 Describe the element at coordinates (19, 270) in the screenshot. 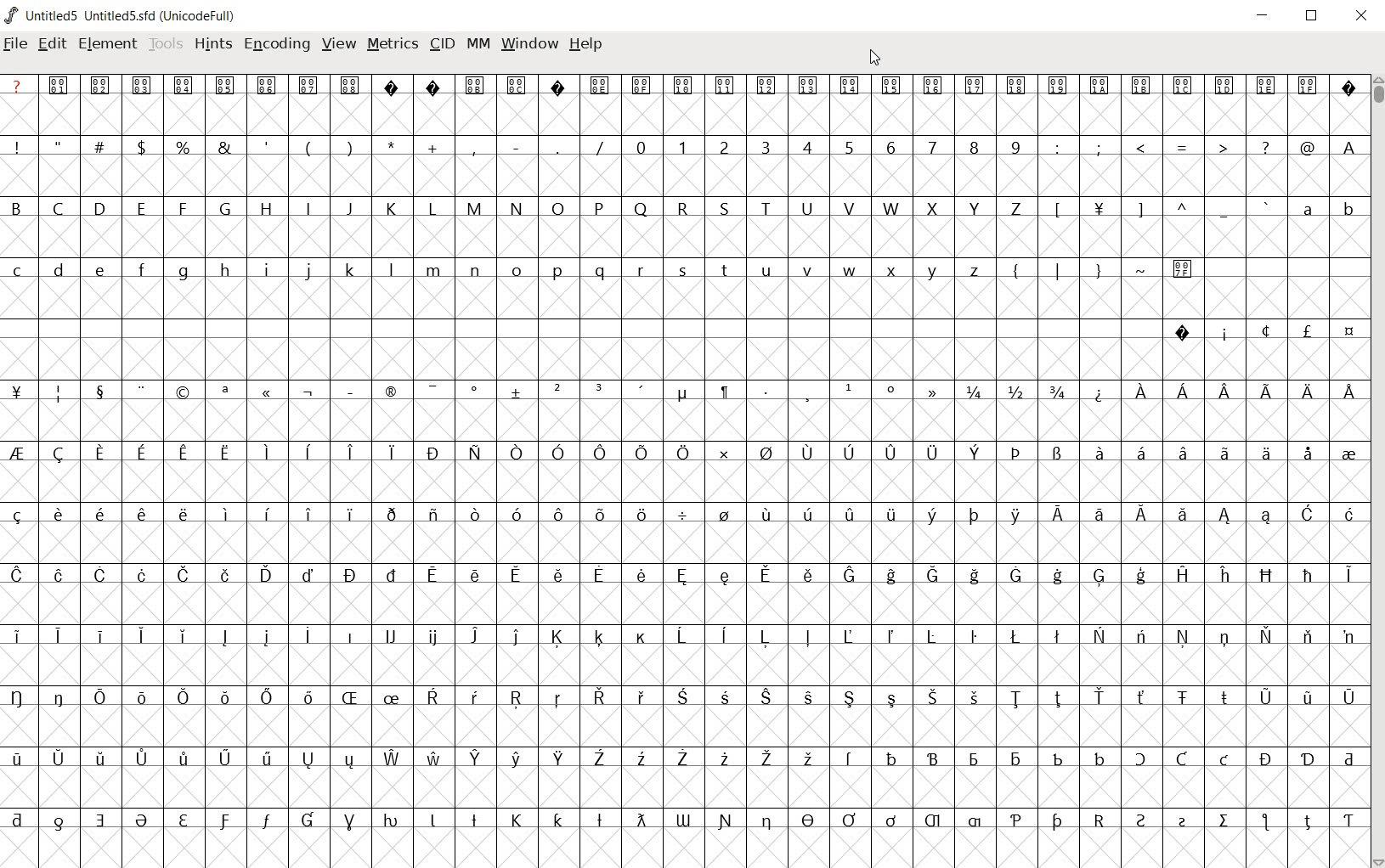

I see `c` at that location.